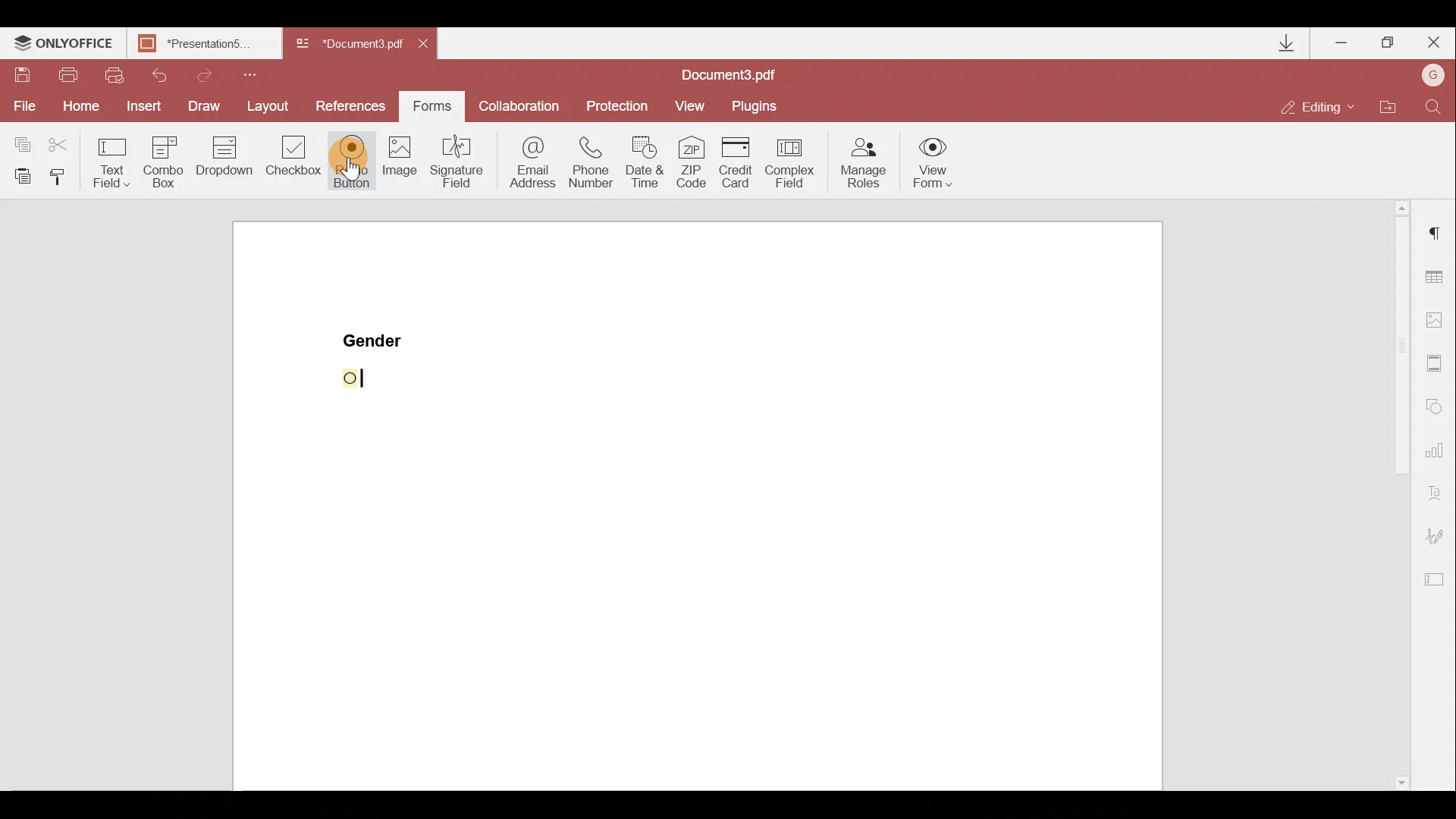 This screenshot has width=1456, height=819. Describe the element at coordinates (24, 76) in the screenshot. I see `Save` at that location.